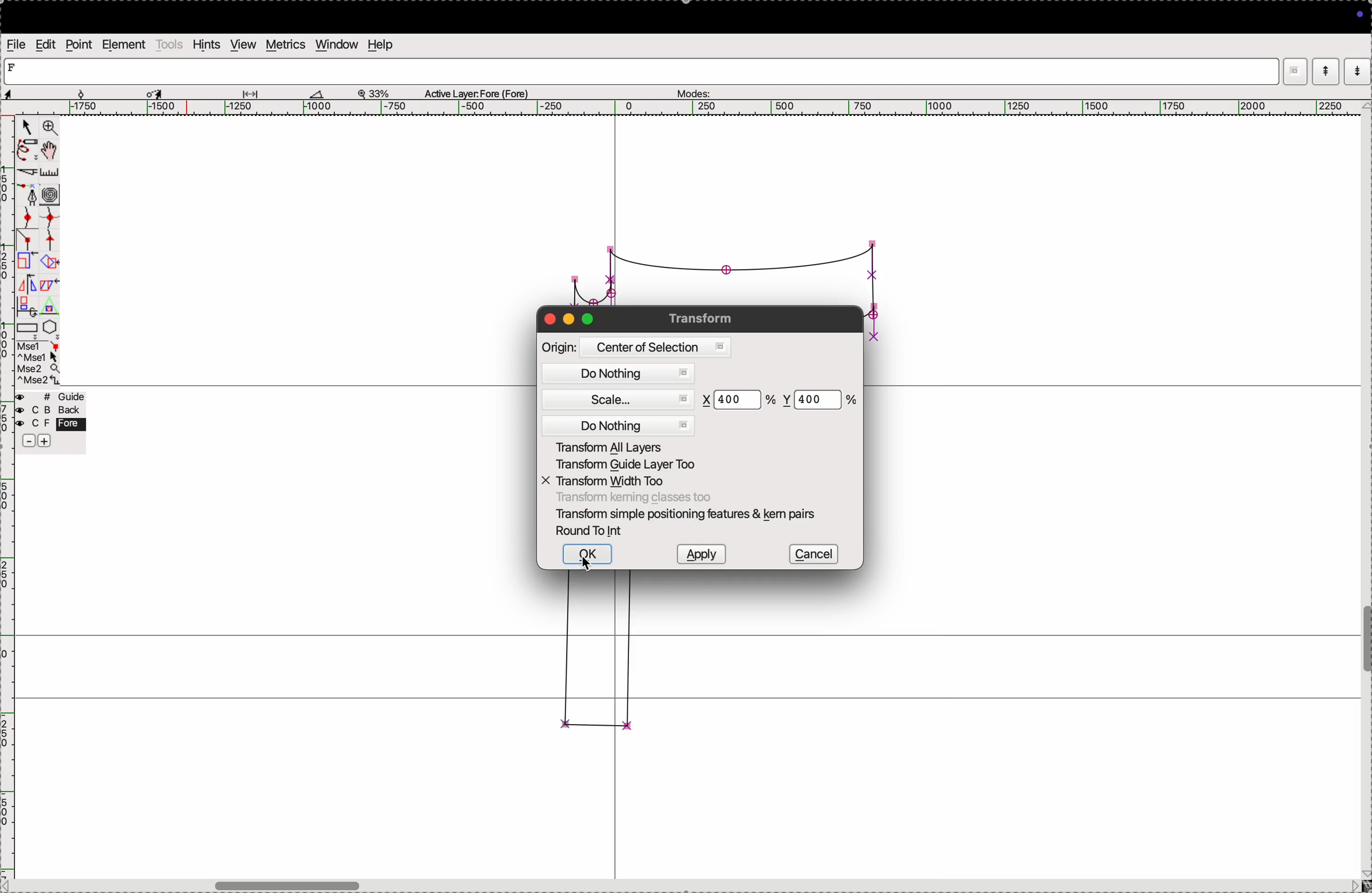 Image resolution: width=1372 pixels, height=893 pixels. Describe the element at coordinates (654, 347) in the screenshot. I see `centre of selsection` at that location.